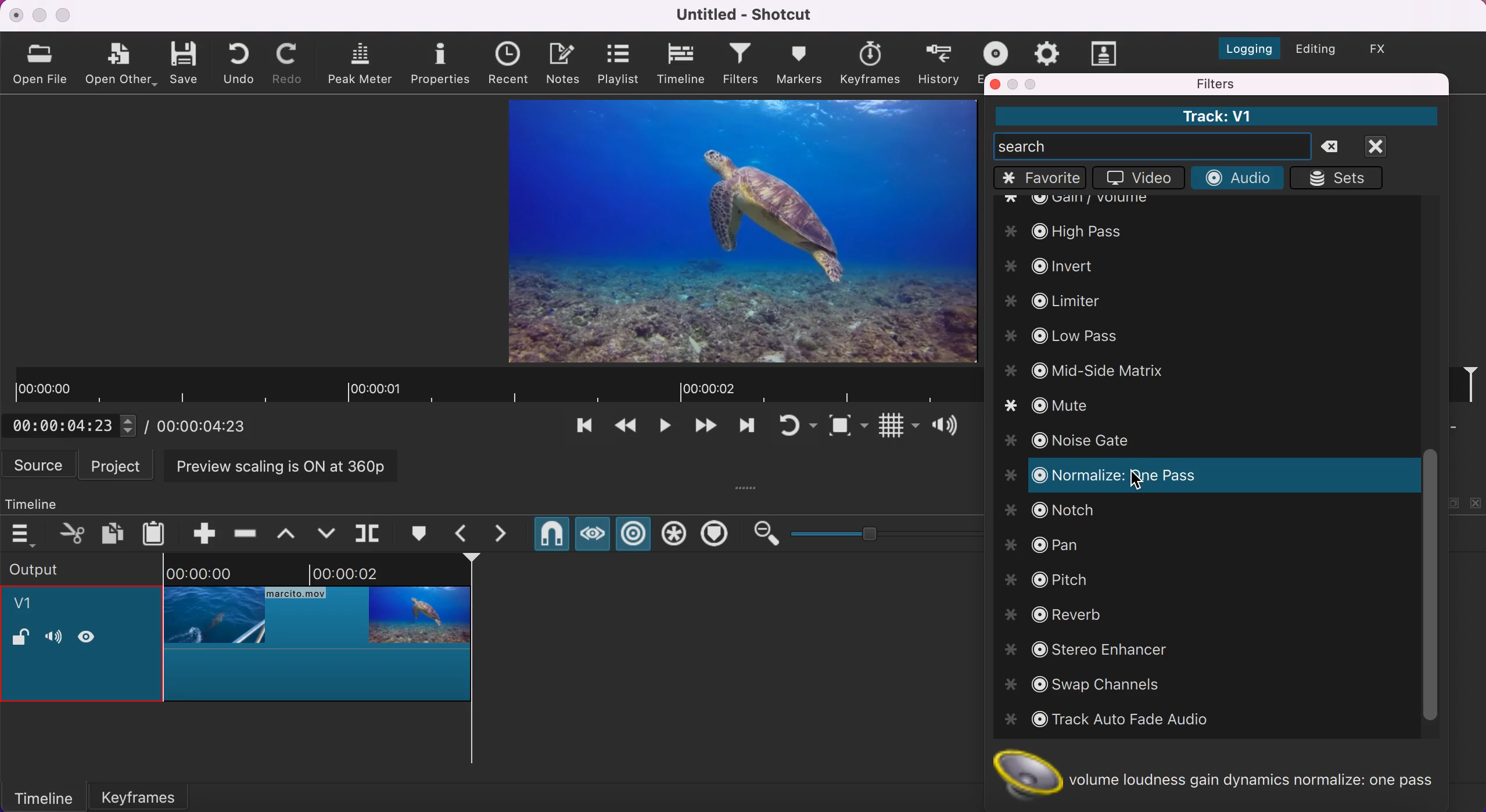 The width and height of the screenshot is (1486, 812). Describe the element at coordinates (996, 84) in the screenshot. I see `close` at that location.